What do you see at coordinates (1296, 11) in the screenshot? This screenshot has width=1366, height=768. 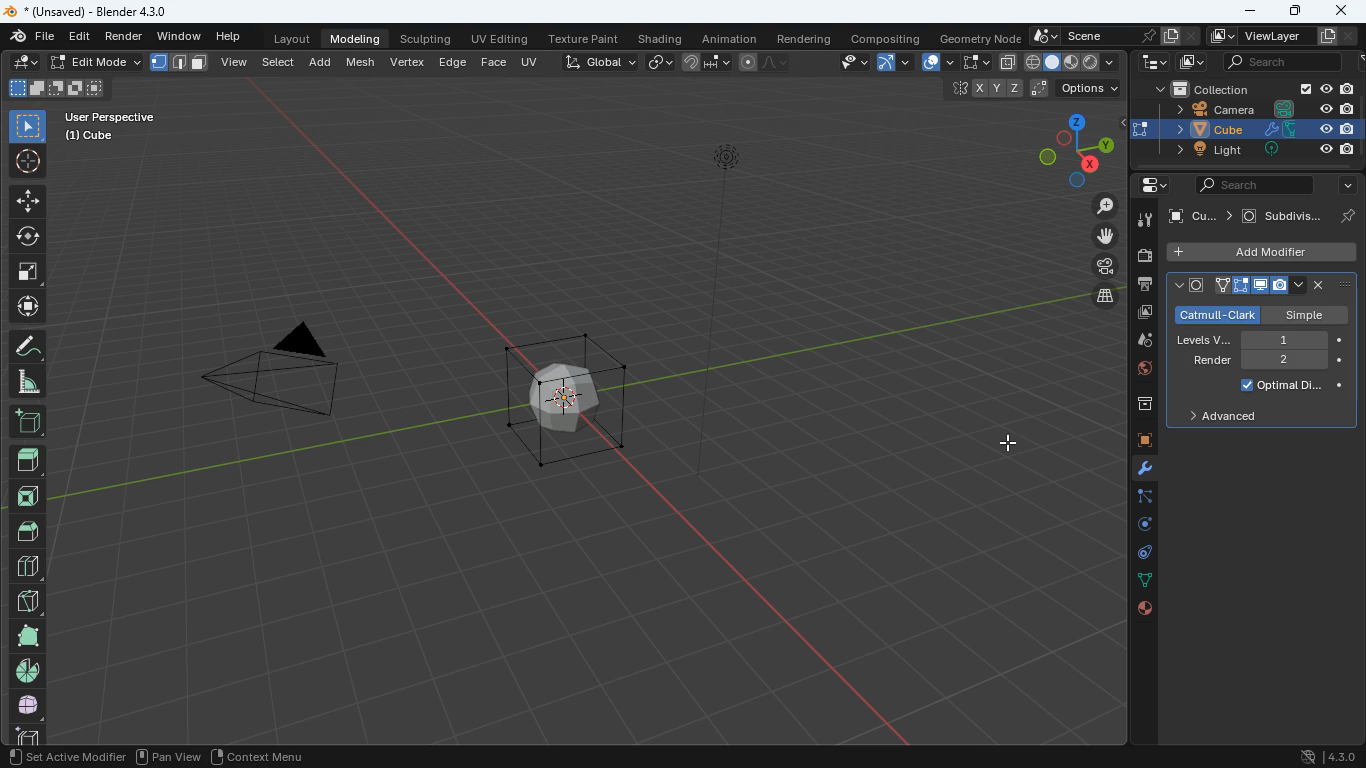 I see `maximize` at bounding box center [1296, 11].